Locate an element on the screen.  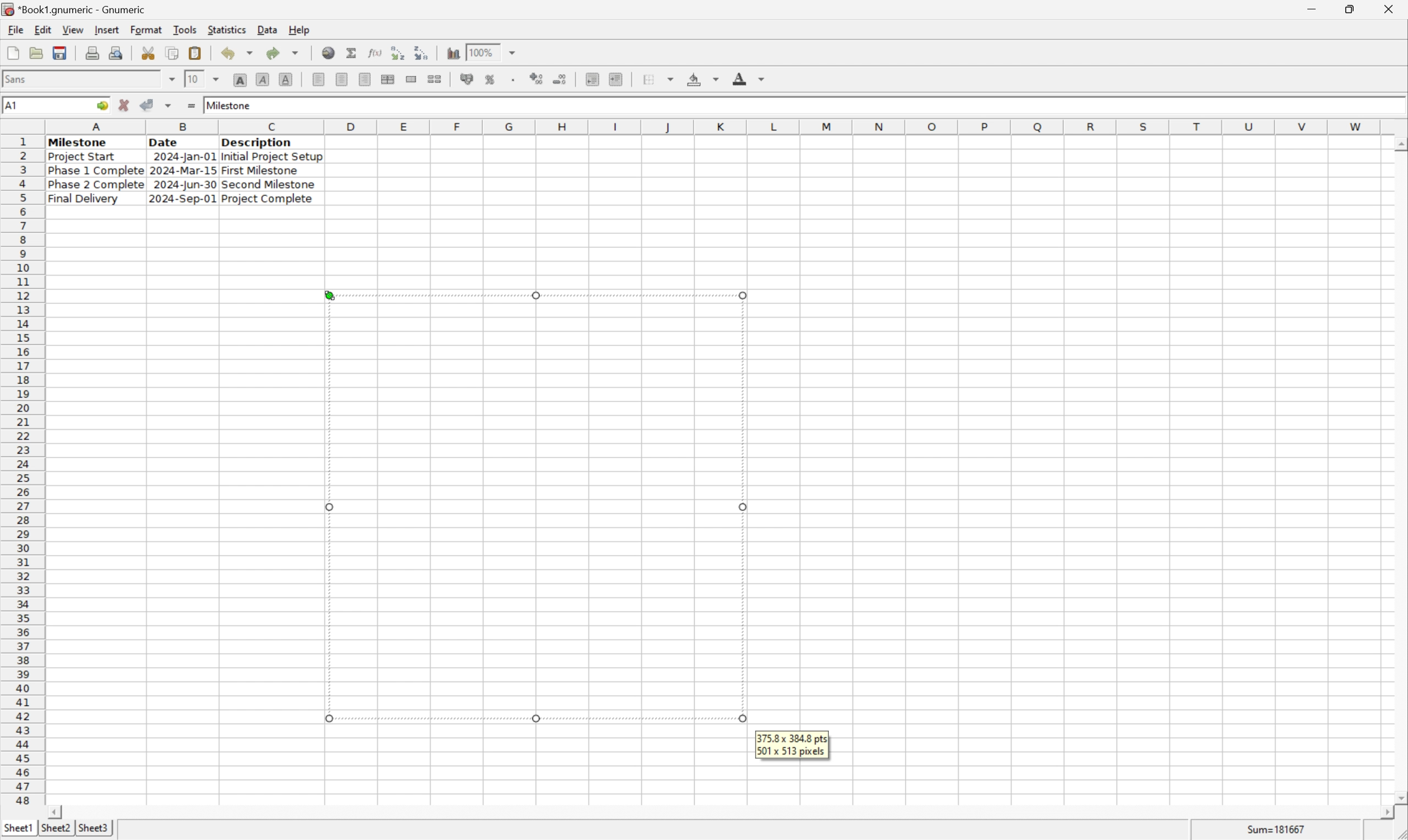
decrease indent is located at coordinates (592, 80).